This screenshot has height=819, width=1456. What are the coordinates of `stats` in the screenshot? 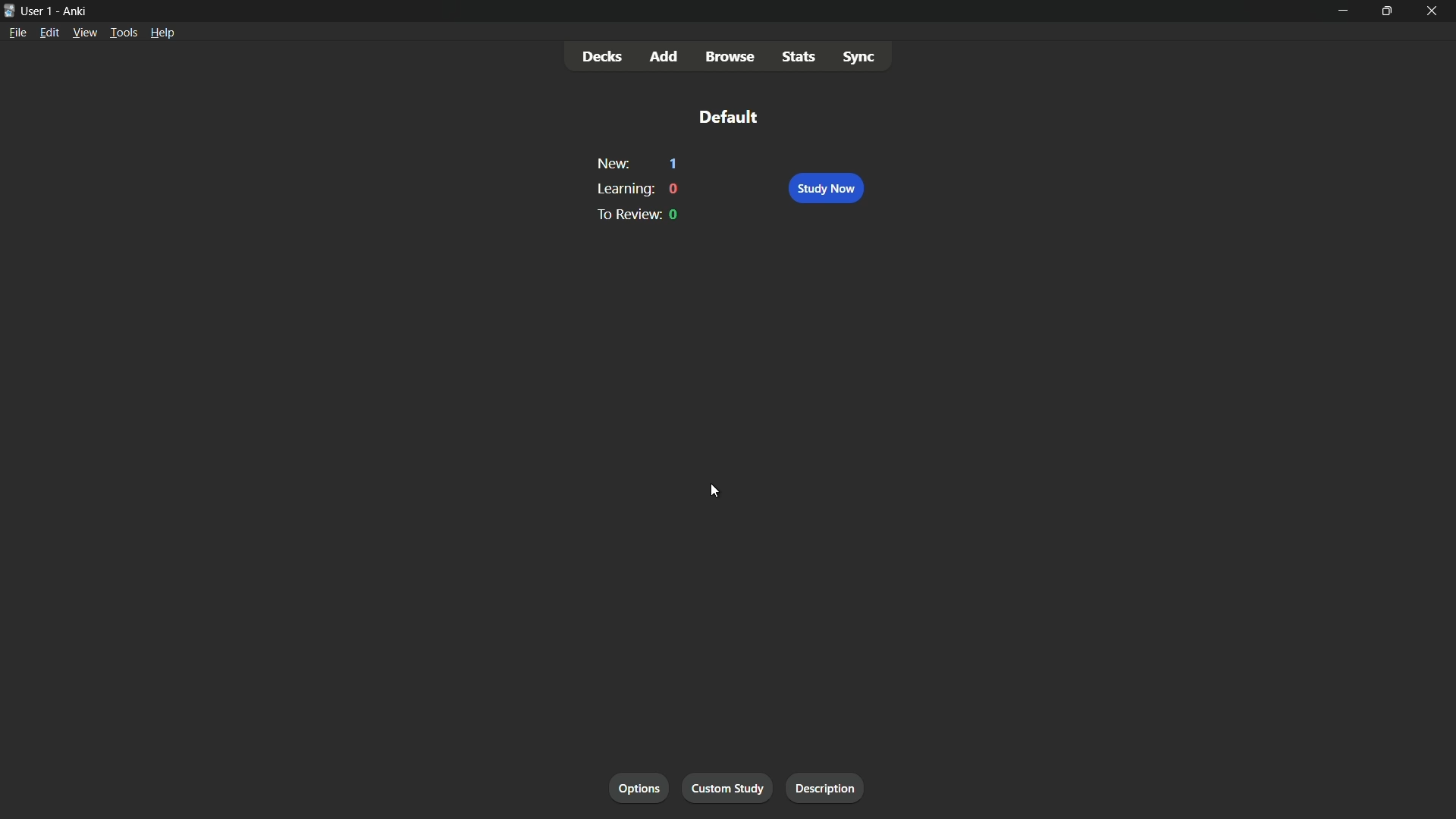 It's located at (799, 58).